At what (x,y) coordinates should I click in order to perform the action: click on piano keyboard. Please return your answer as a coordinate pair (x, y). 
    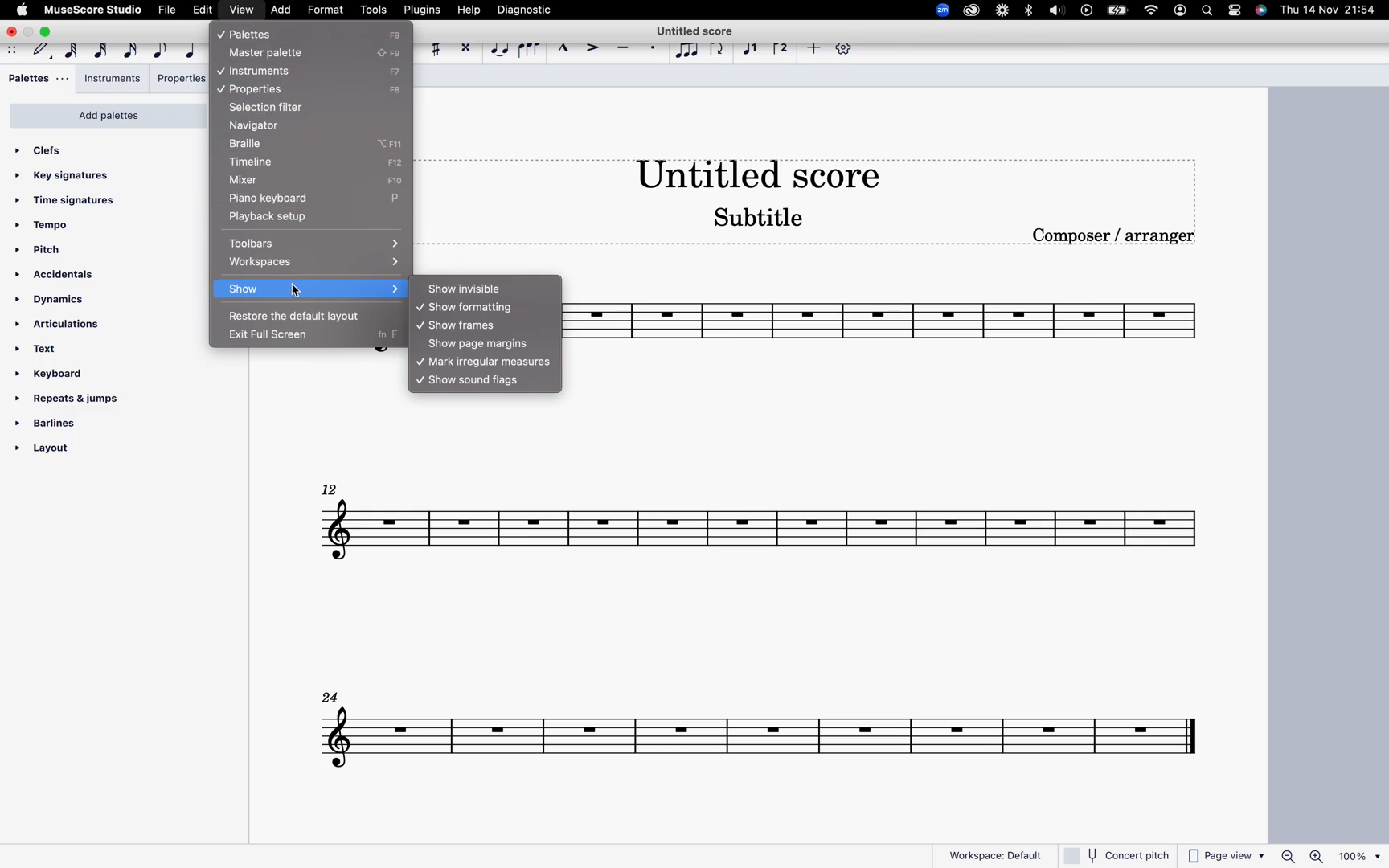
    Looking at the image, I should click on (289, 198).